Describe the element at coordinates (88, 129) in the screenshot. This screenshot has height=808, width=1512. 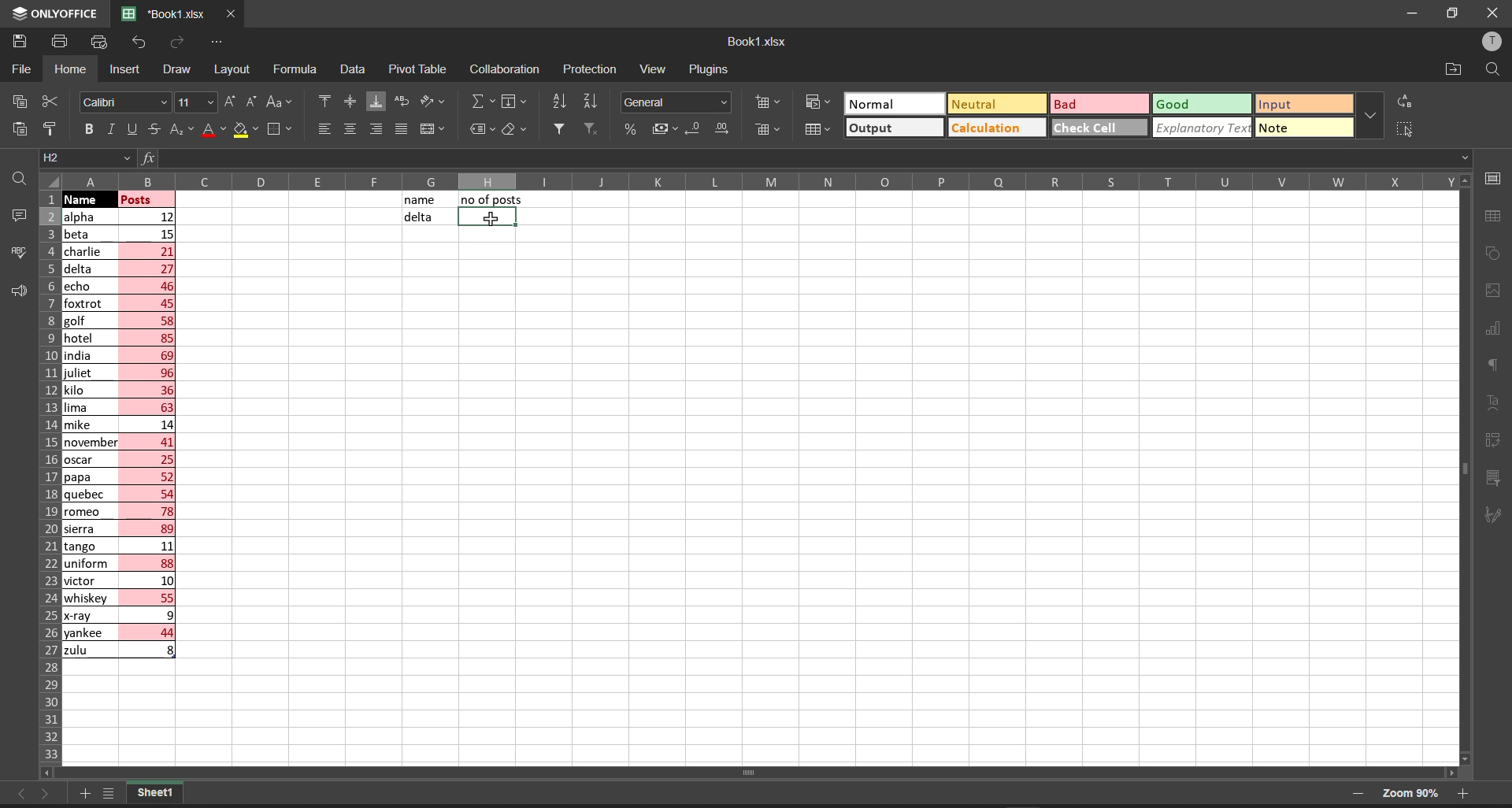
I see `bold` at that location.